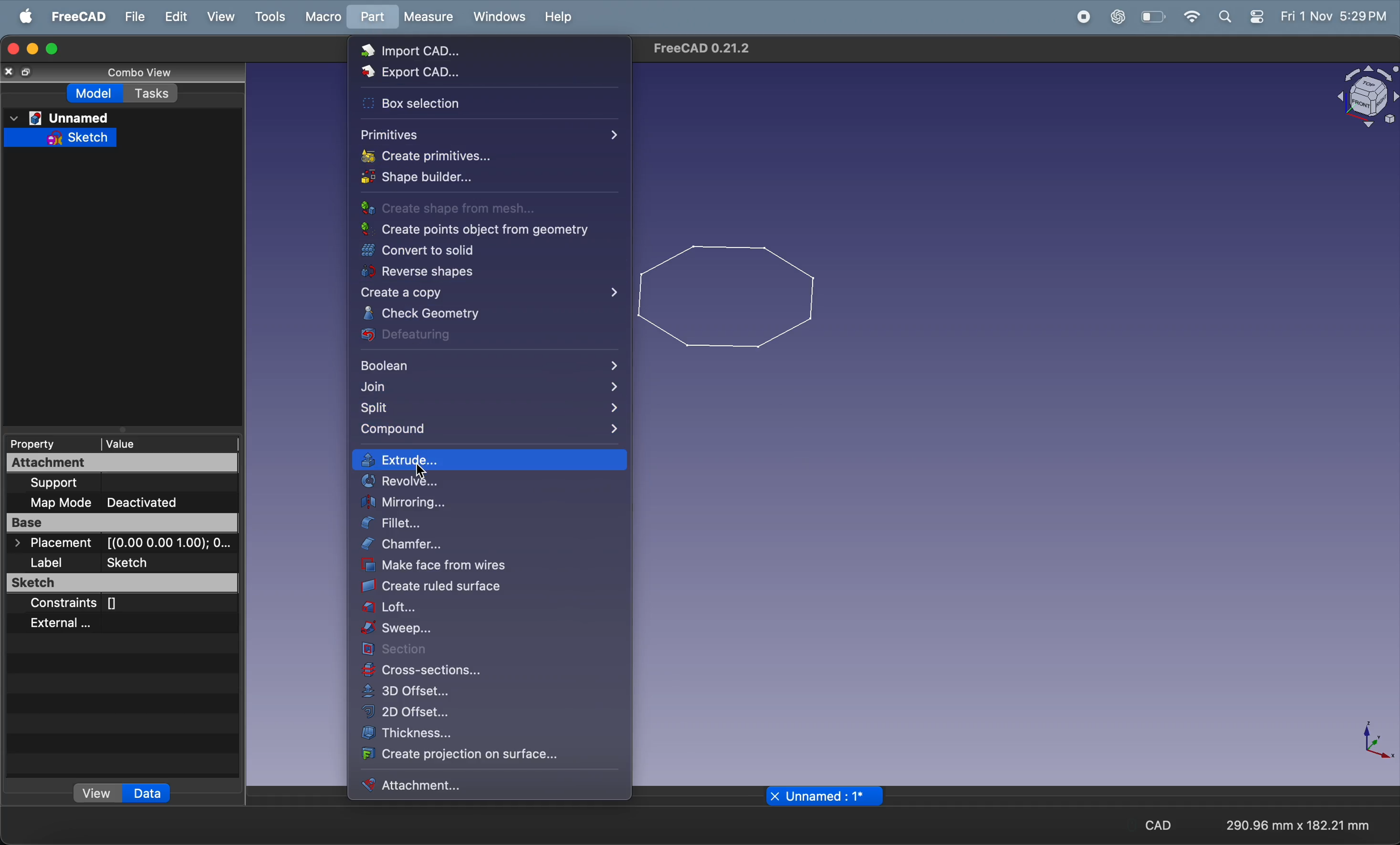 This screenshot has height=845, width=1400. Describe the element at coordinates (1364, 97) in the screenshot. I see `vlock view` at that location.